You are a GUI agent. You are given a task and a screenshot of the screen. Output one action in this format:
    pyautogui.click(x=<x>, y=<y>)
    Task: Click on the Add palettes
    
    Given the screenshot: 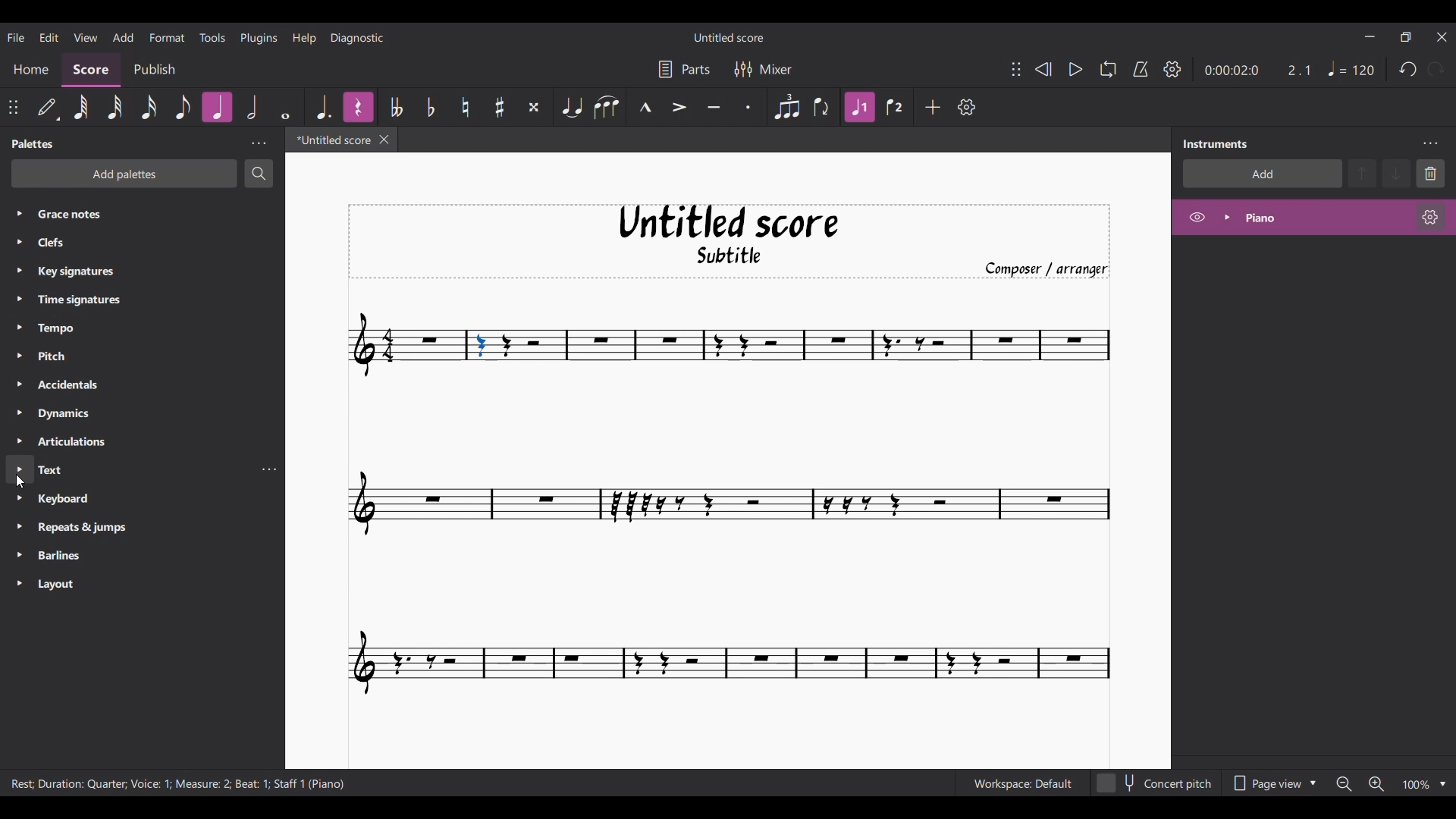 What is the action you would take?
    pyautogui.click(x=124, y=174)
    